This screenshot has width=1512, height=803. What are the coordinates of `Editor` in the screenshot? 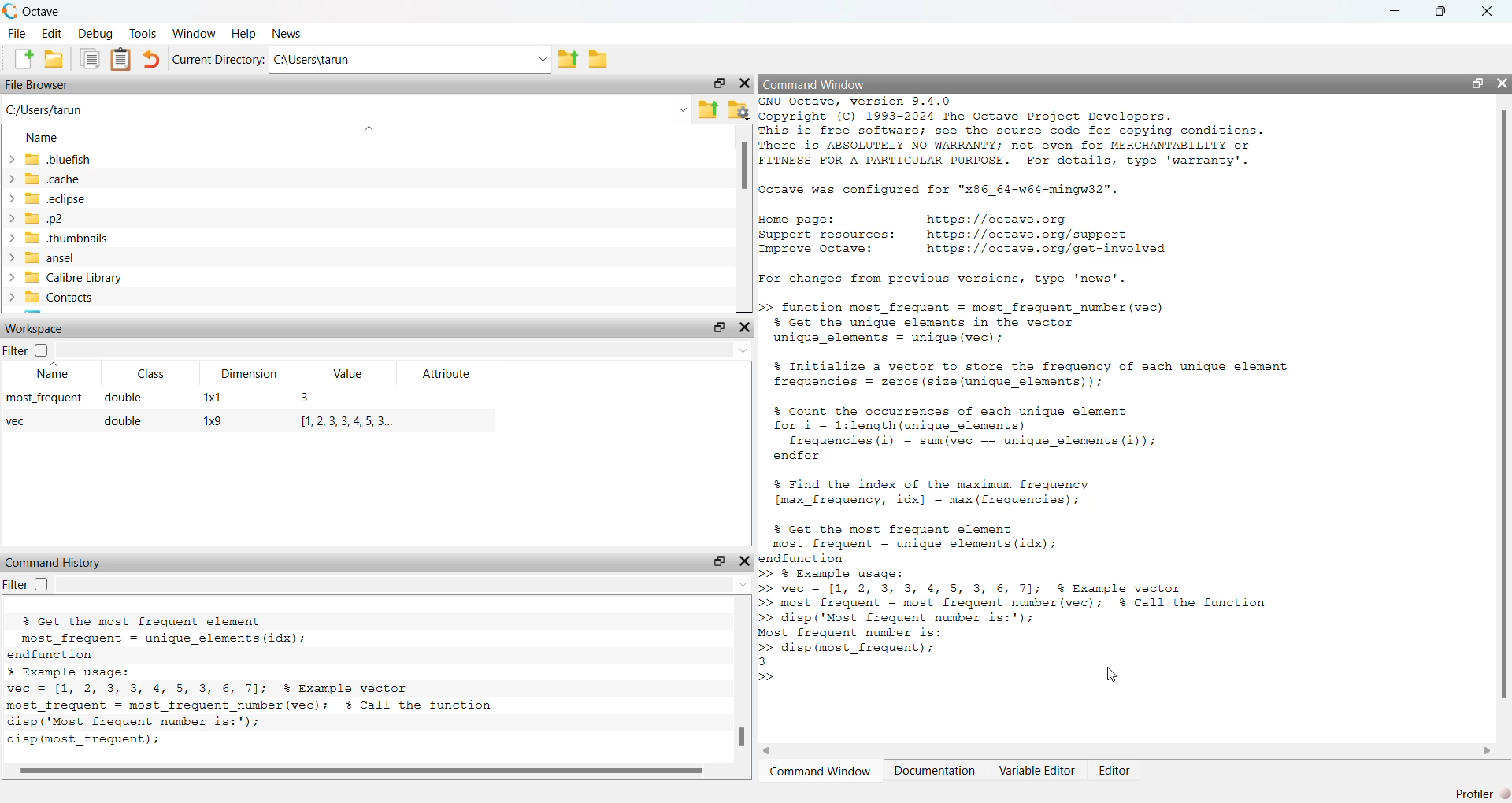 It's located at (1114, 769).